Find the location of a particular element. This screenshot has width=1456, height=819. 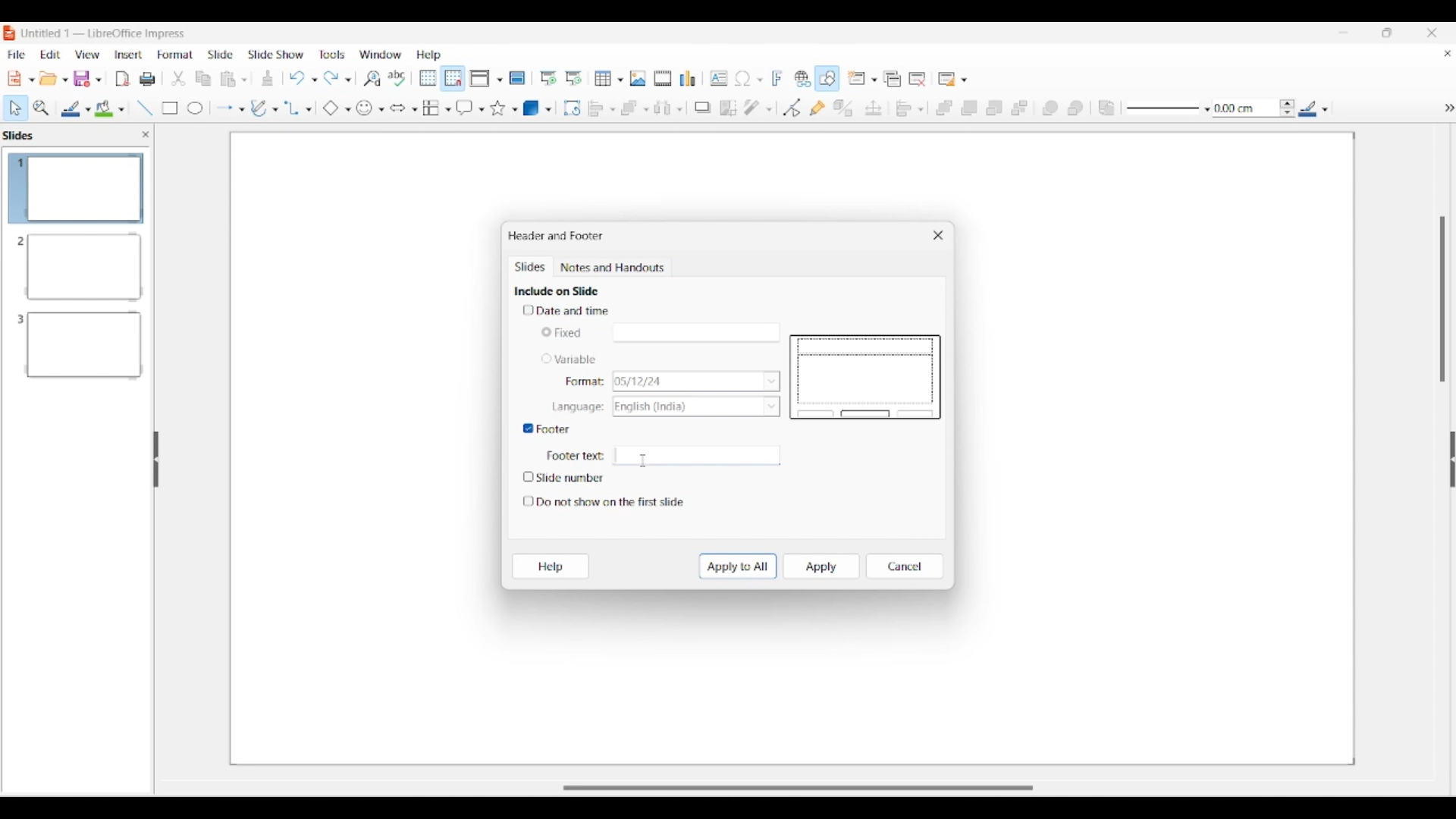

3D object options is located at coordinates (537, 108).